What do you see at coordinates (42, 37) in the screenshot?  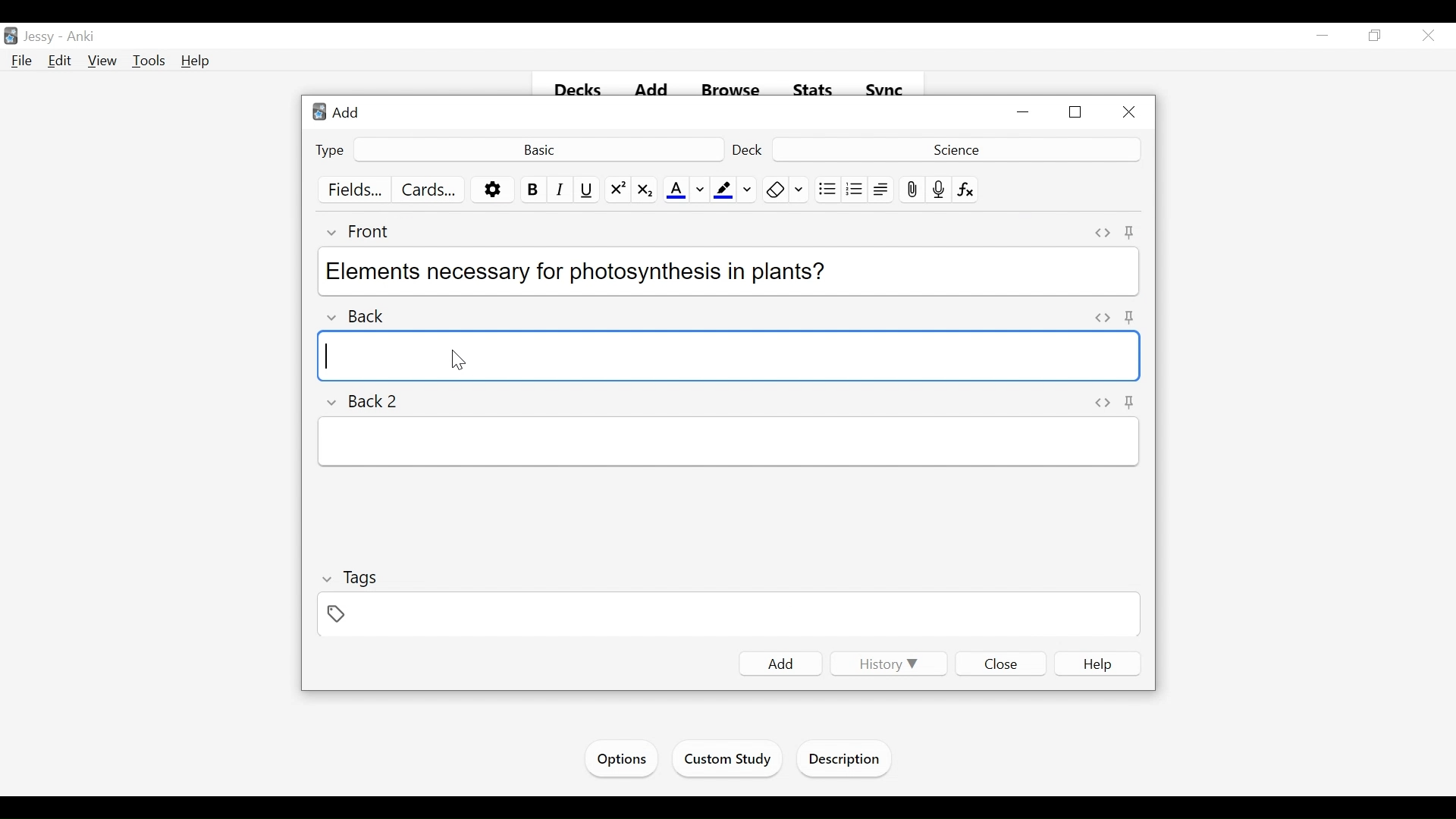 I see `User Name` at bounding box center [42, 37].